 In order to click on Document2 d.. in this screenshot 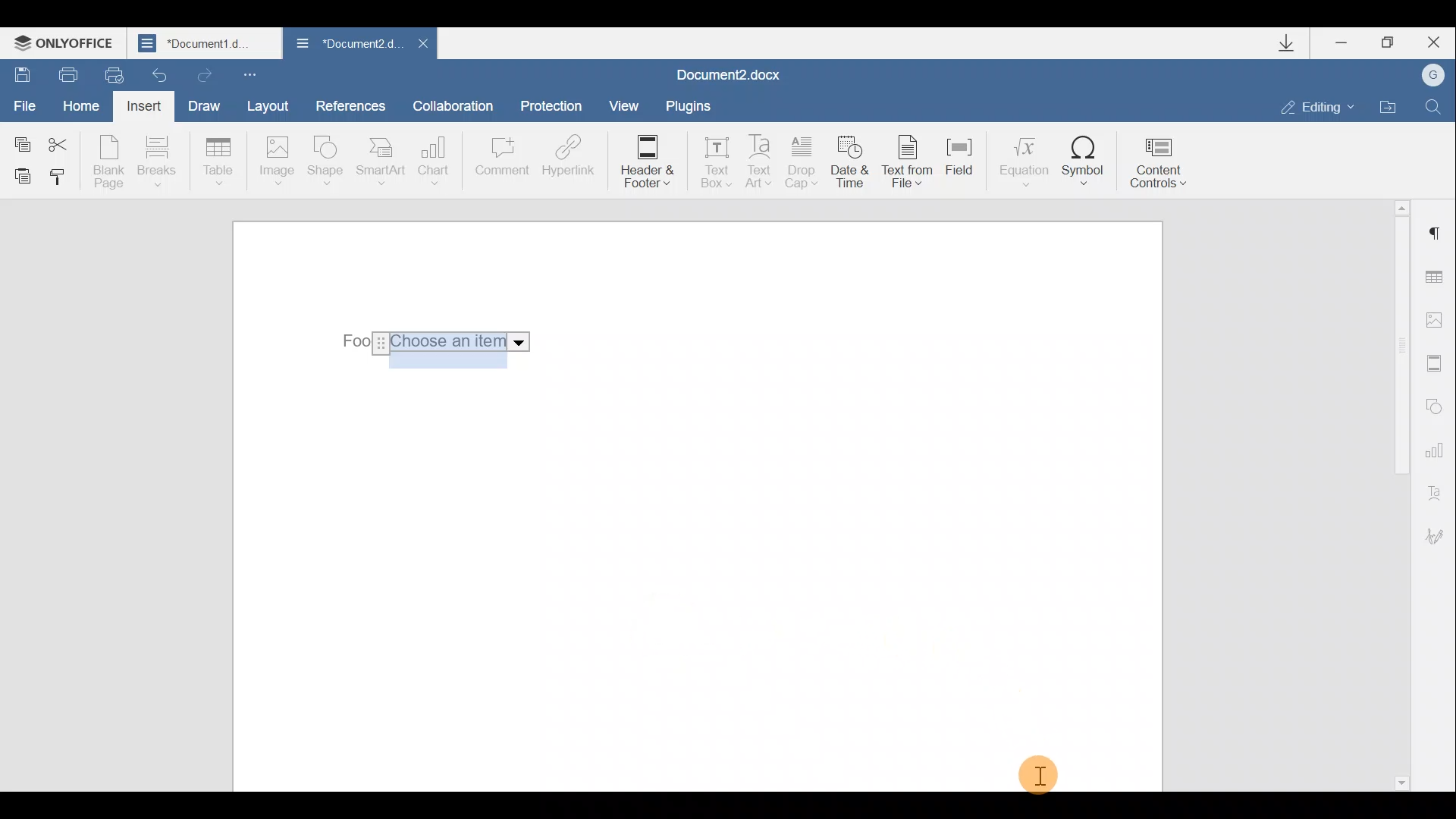, I will do `click(347, 46)`.